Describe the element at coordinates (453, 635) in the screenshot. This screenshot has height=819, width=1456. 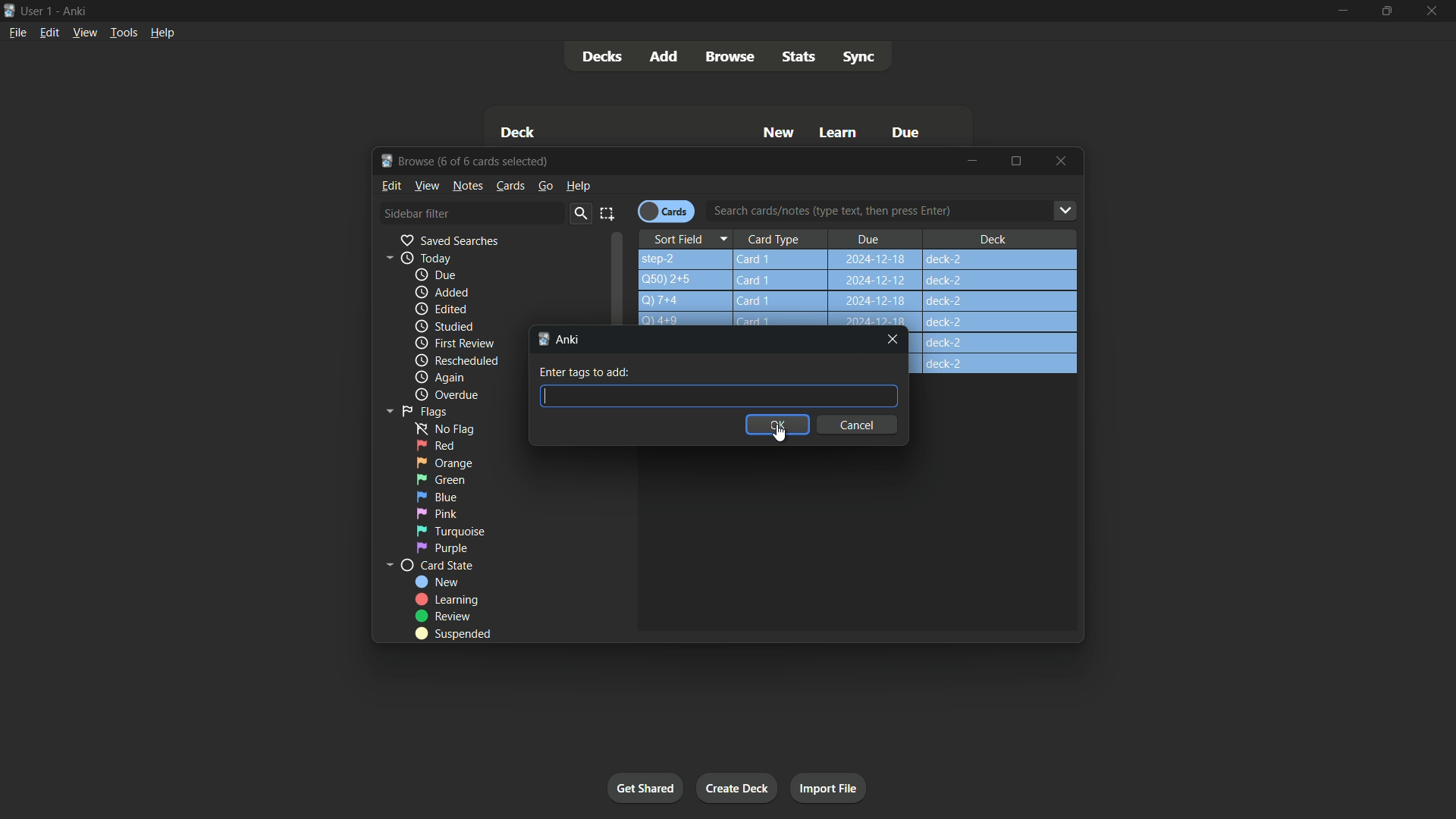
I see `Suspended` at that location.